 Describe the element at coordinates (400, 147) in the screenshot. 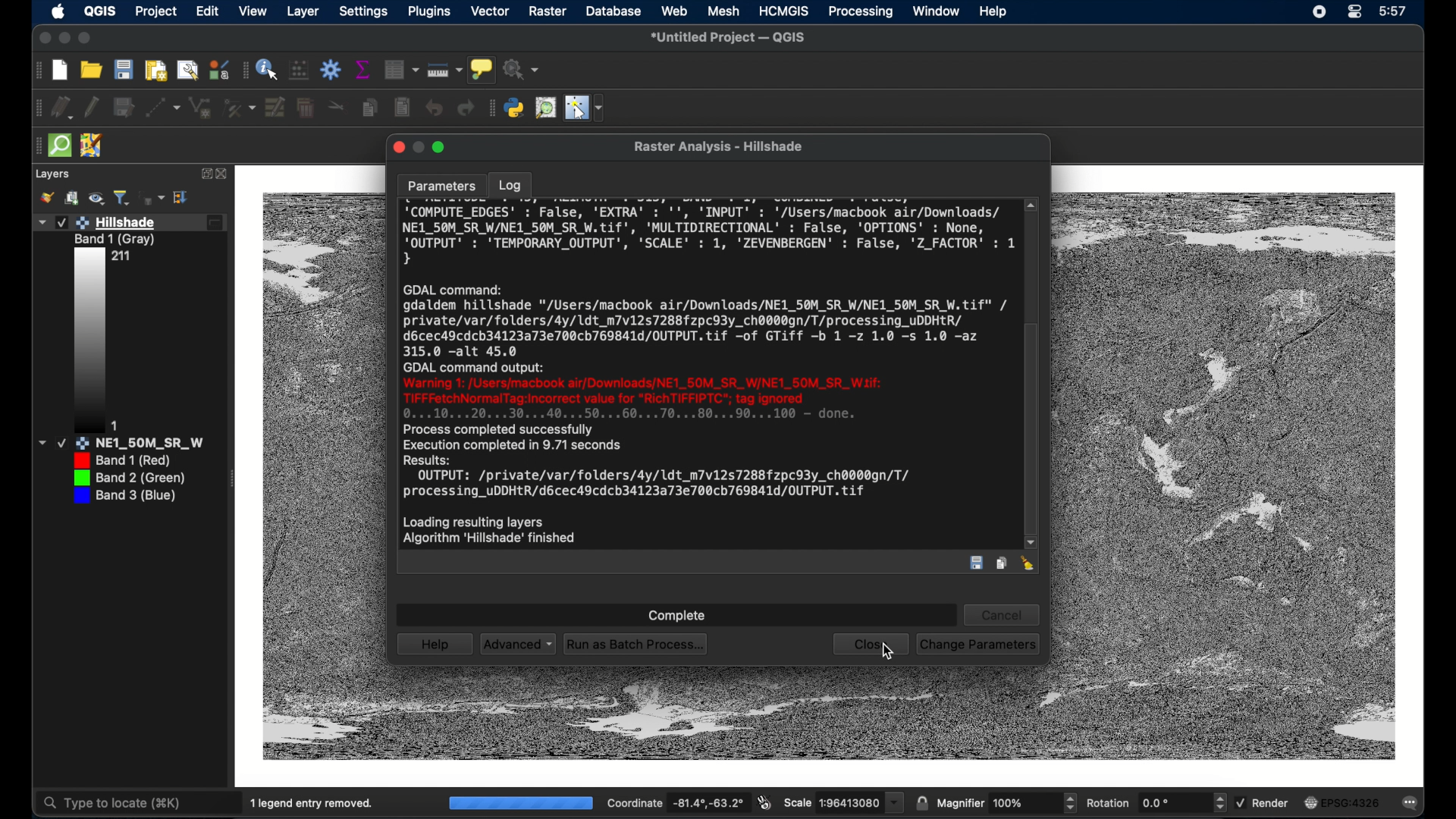

I see `close` at that location.